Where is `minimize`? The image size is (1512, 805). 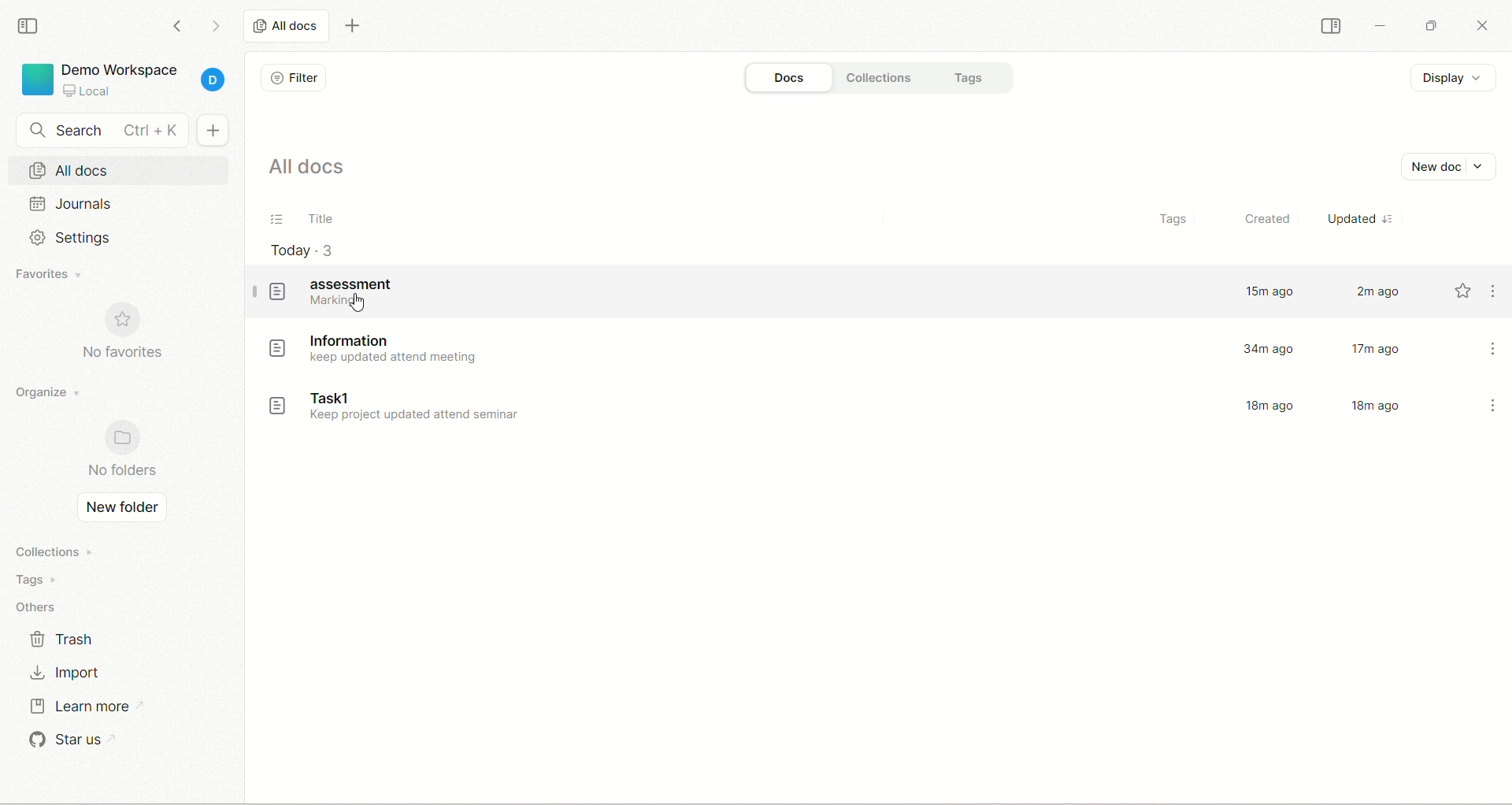
minimize is located at coordinates (1383, 24).